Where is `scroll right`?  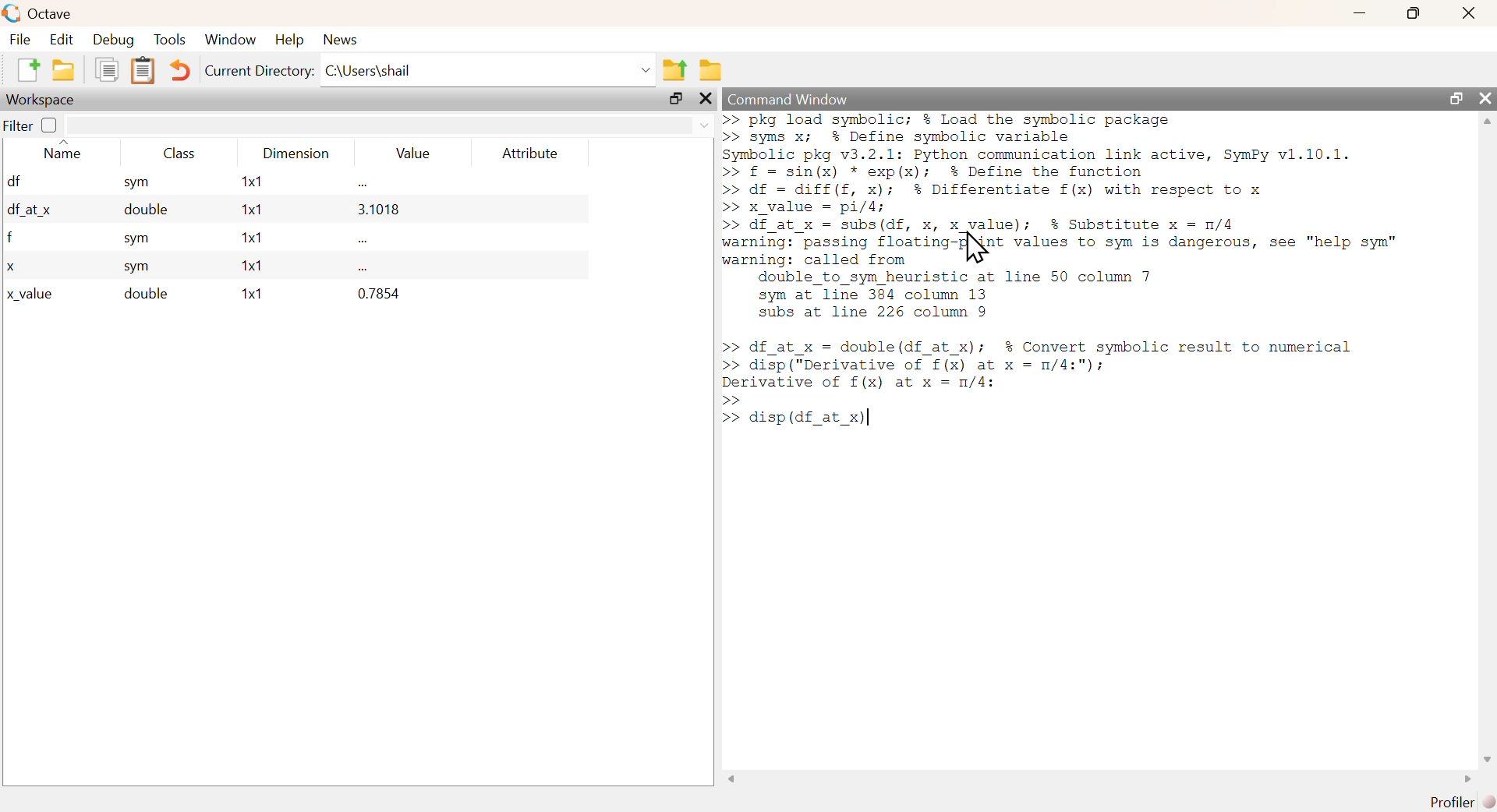
scroll right is located at coordinates (1464, 780).